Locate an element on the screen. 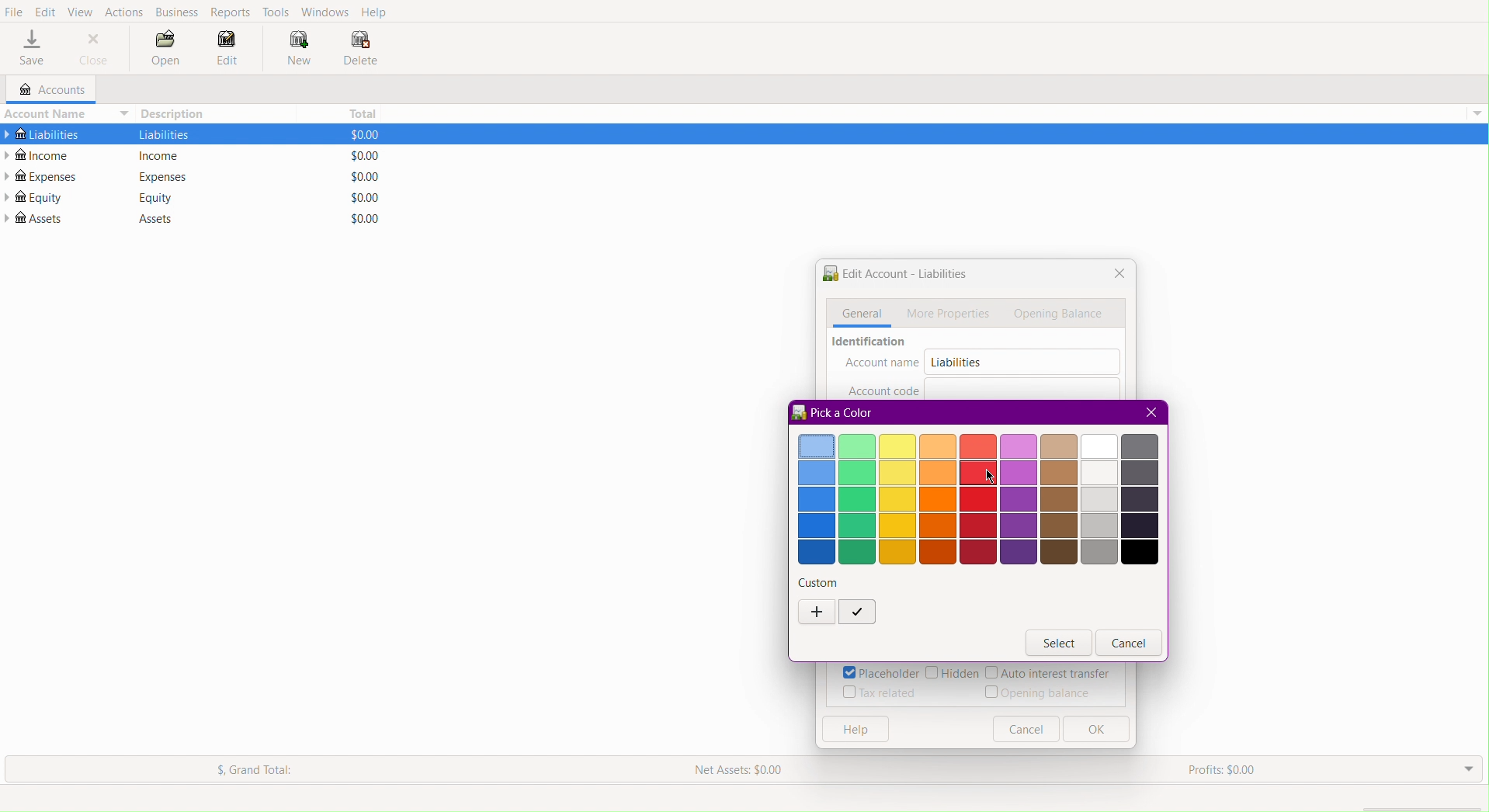 The height and width of the screenshot is (812, 1489). Help is located at coordinates (377, 12).